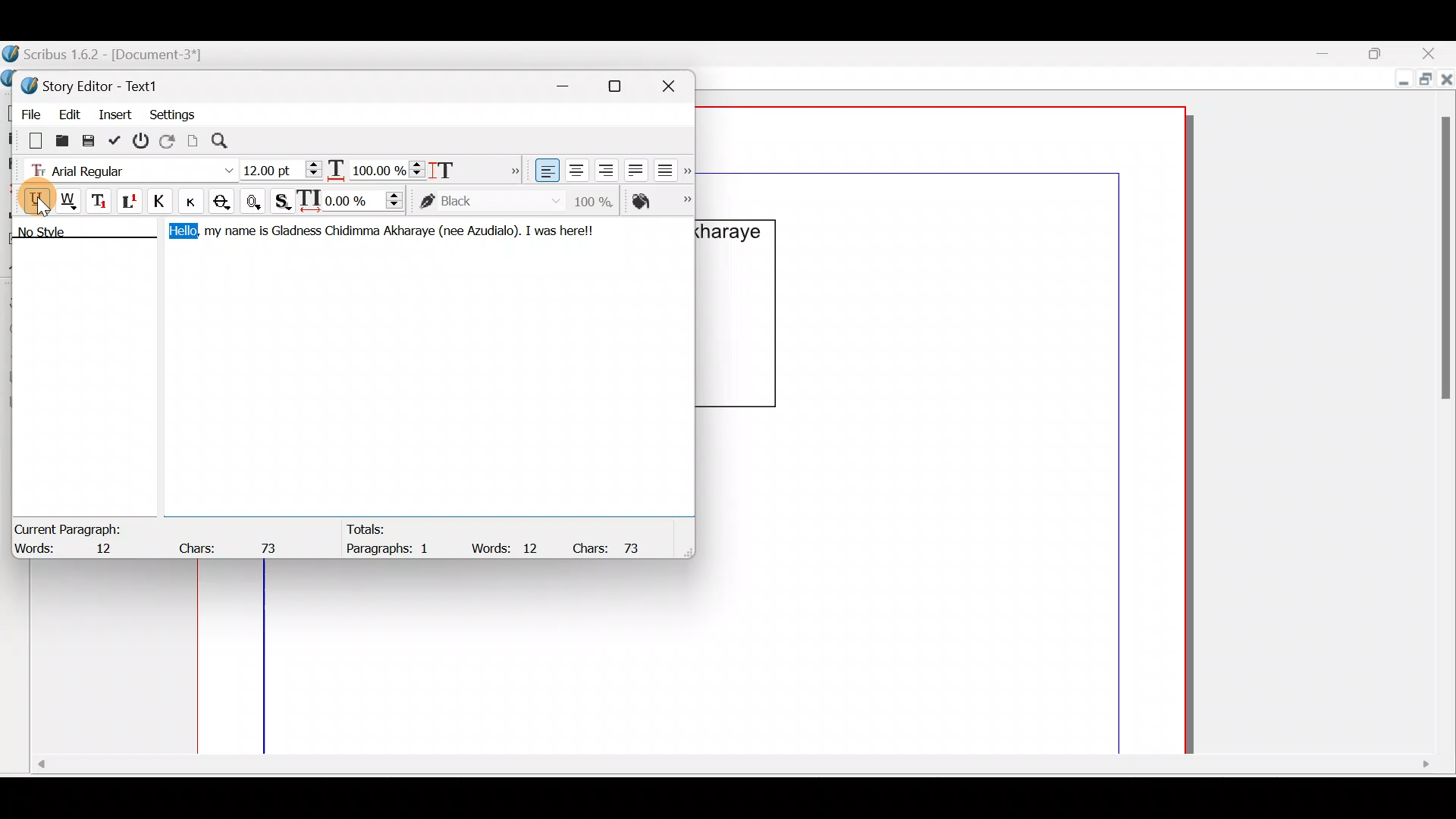 Image resolution: width=1456 pixels, height=819 pixels. What do you see at coordinates (449, 231) in the screenshot?
I see `(nee` at bounding box center [449, 231].